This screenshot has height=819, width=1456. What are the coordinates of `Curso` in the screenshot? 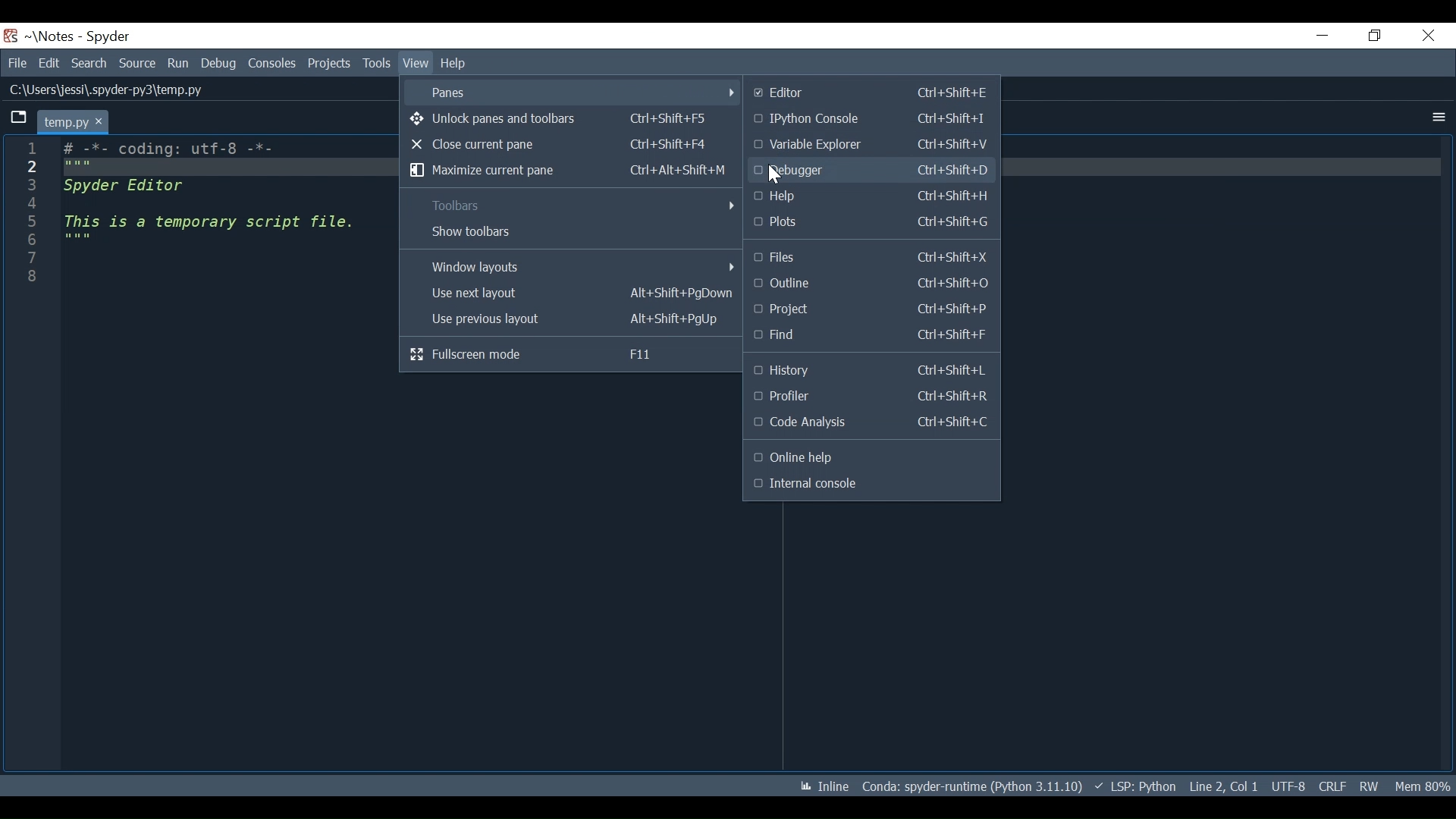 It's located at (1288, 787).